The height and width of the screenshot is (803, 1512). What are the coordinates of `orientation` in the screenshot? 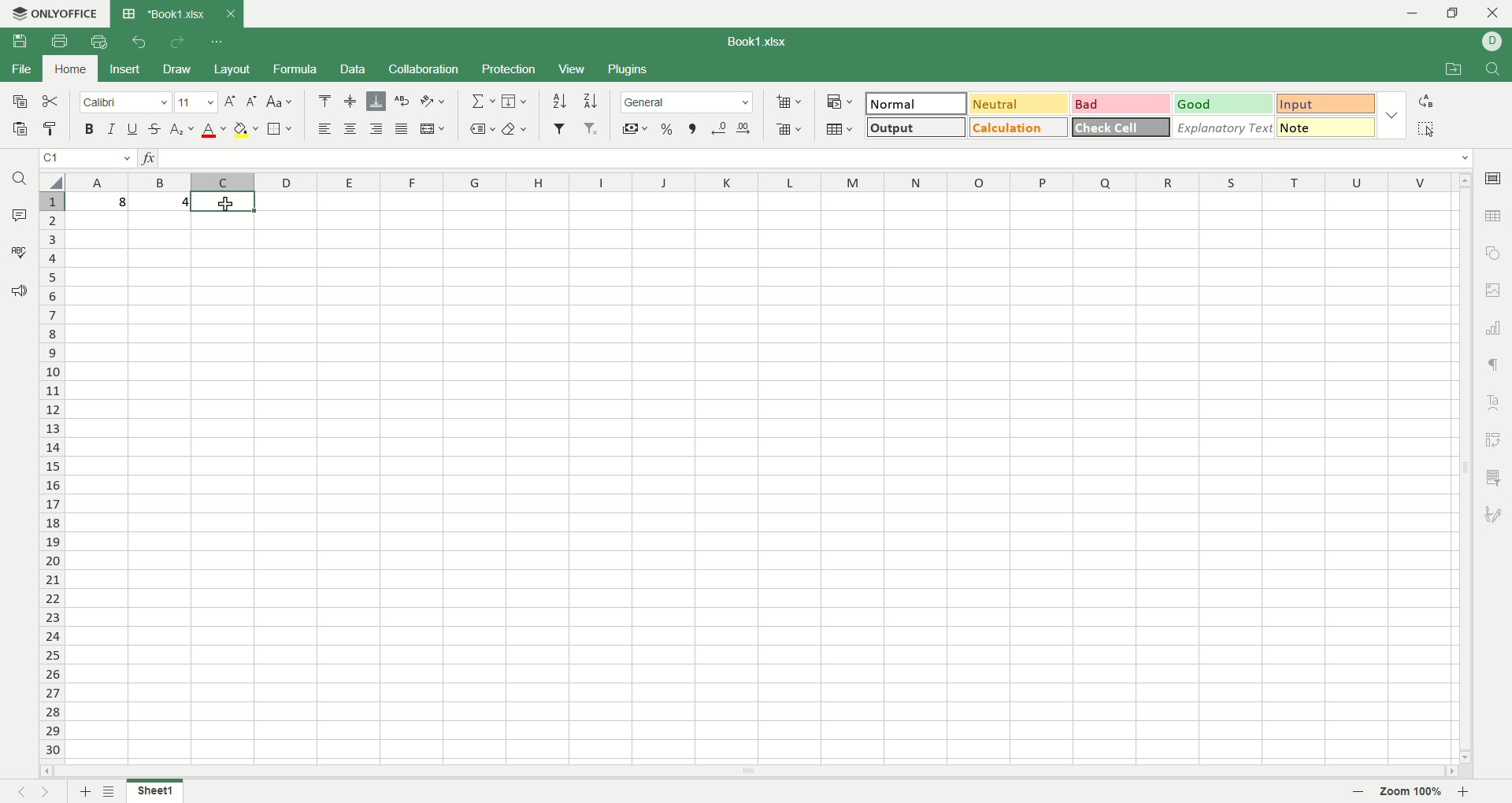 It's located at (435, 102).